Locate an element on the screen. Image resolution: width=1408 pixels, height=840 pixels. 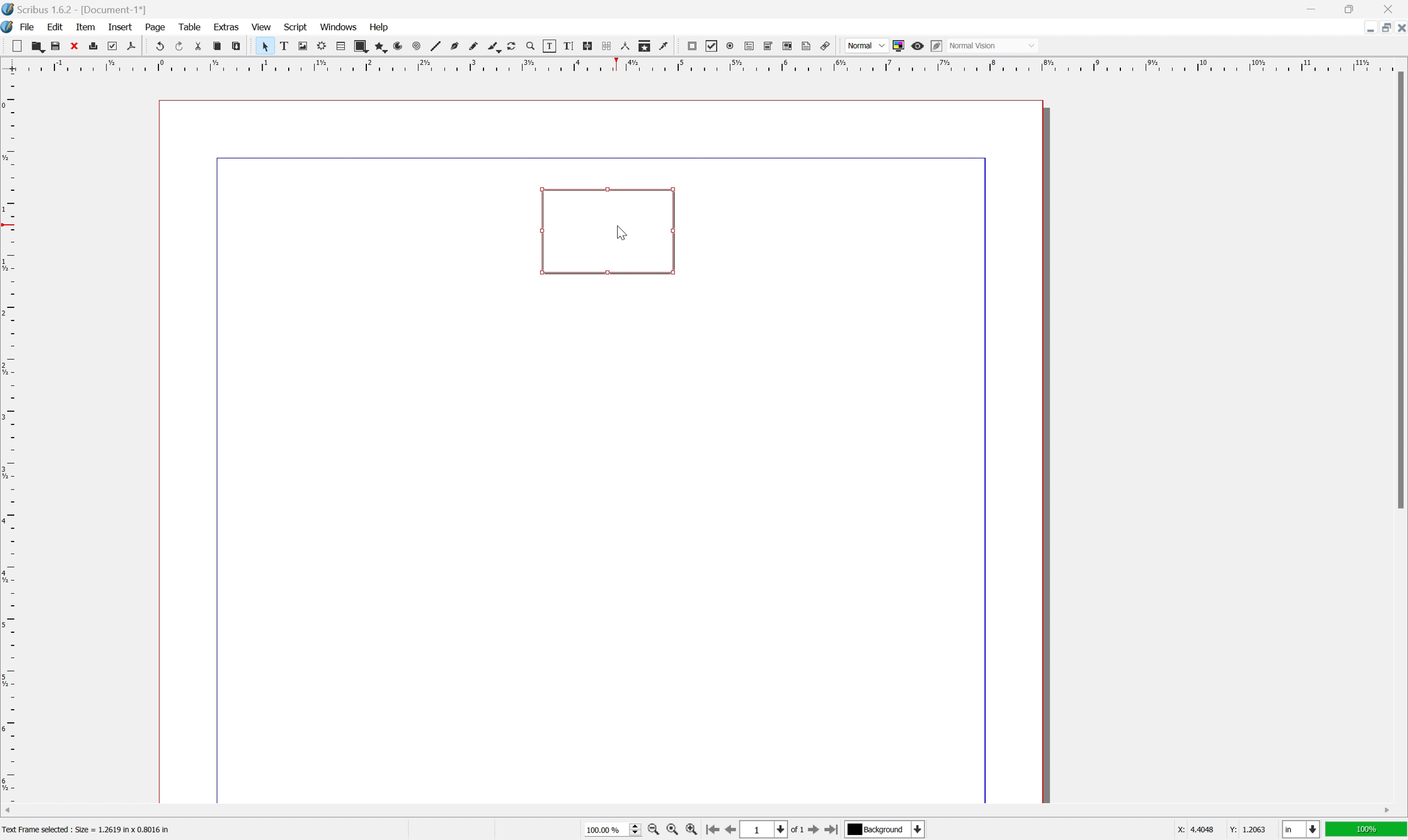
item is located at coordinates (87, 27).